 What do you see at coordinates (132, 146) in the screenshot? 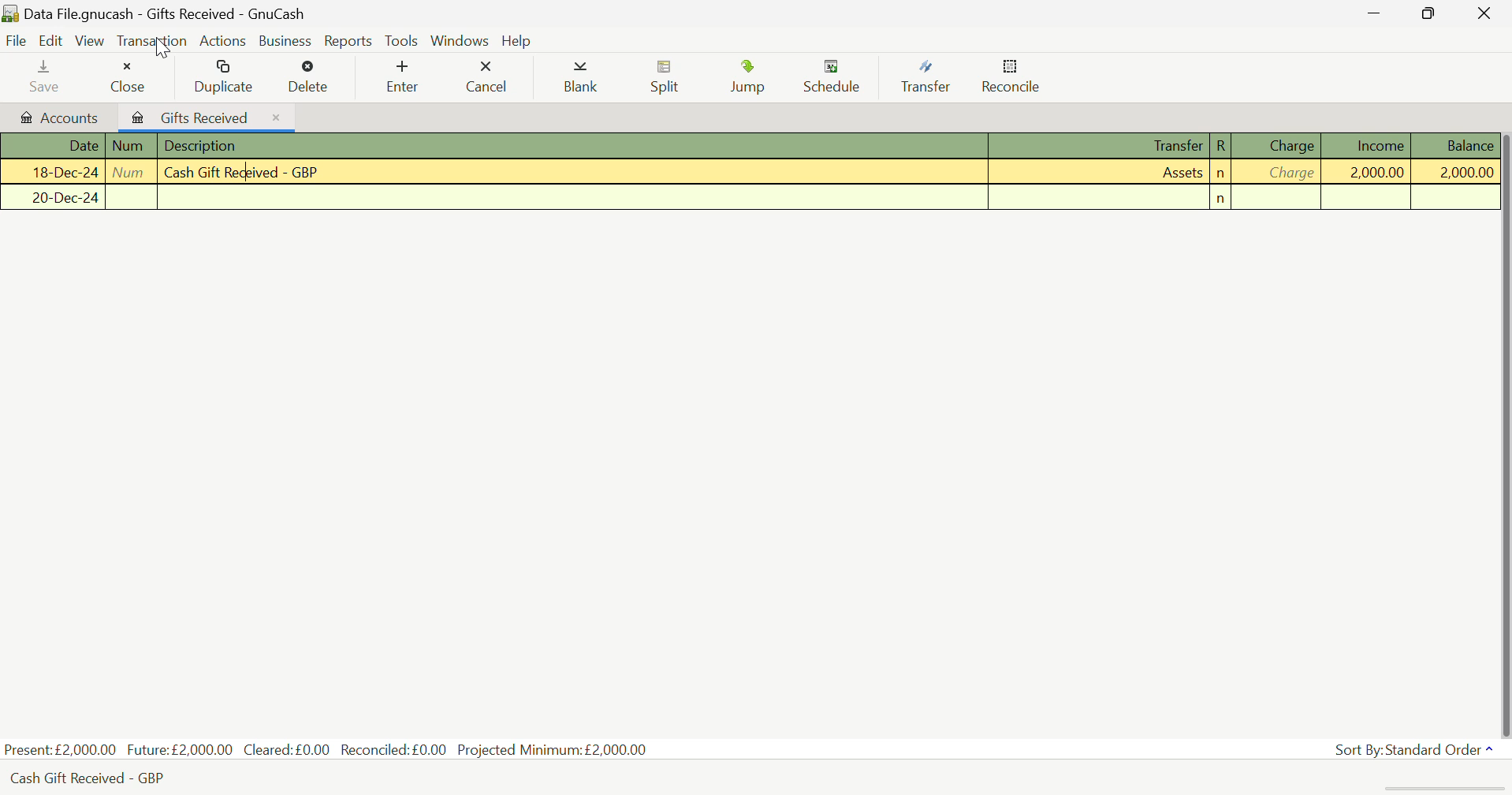
I see `Num` at bounding box center [132, 146].